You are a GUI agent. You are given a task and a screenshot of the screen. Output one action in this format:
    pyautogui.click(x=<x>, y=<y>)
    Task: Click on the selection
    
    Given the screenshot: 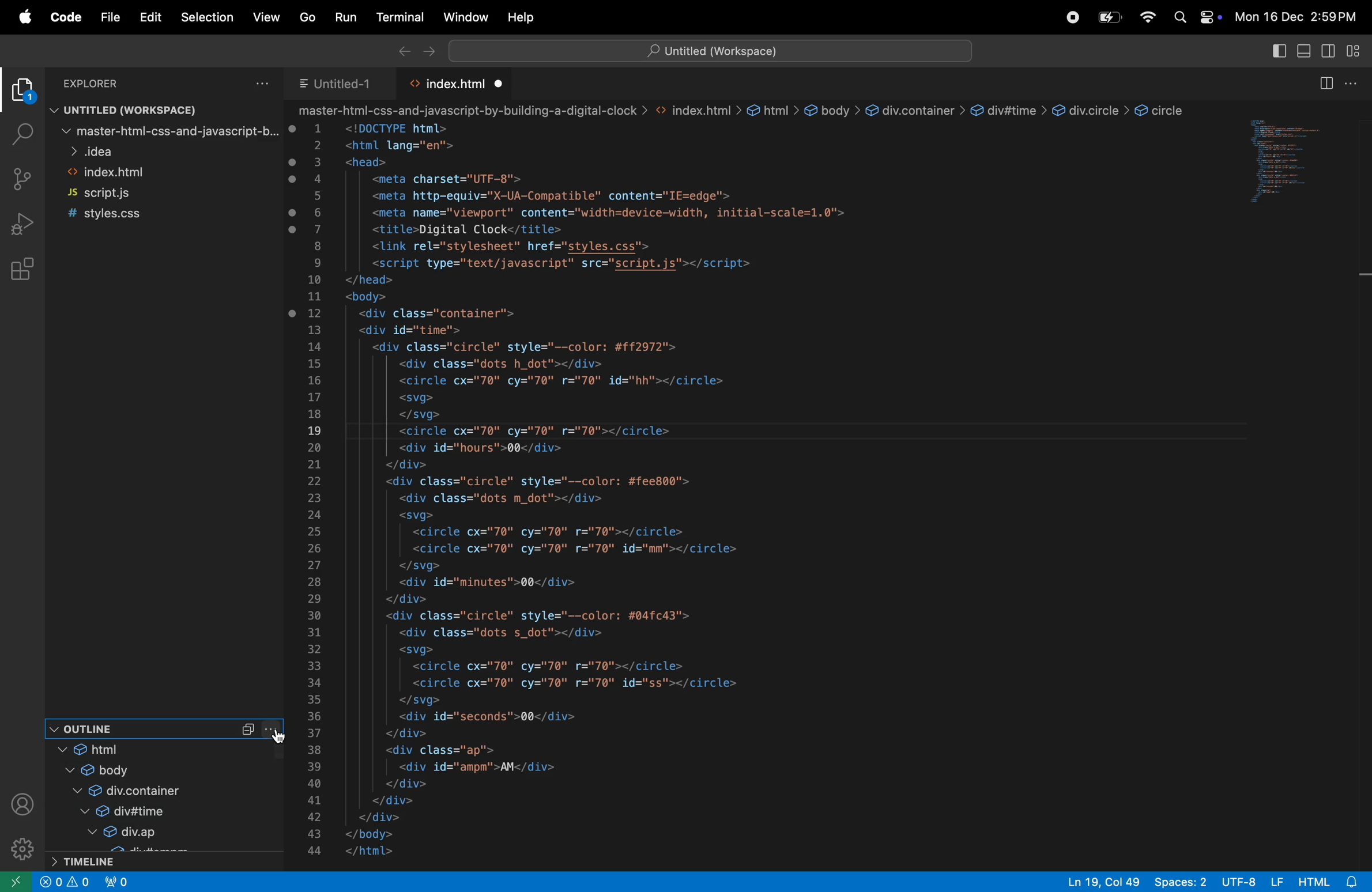 What is the action you would take?
    pyautogui.click(x=209, y=17)
    